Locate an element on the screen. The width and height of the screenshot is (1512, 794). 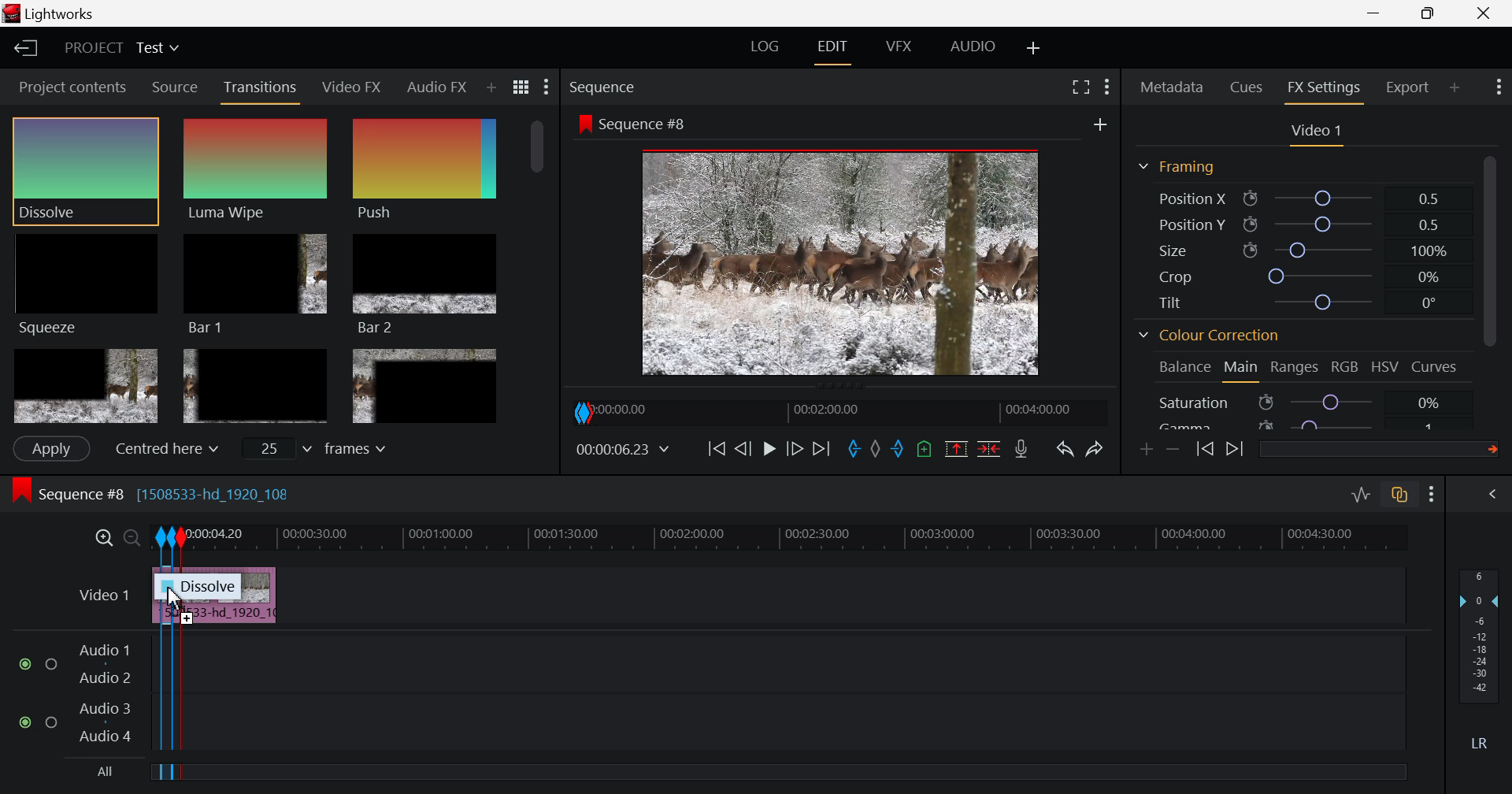
Segment In & Out Marks Made is located at coordinates (165, 653).